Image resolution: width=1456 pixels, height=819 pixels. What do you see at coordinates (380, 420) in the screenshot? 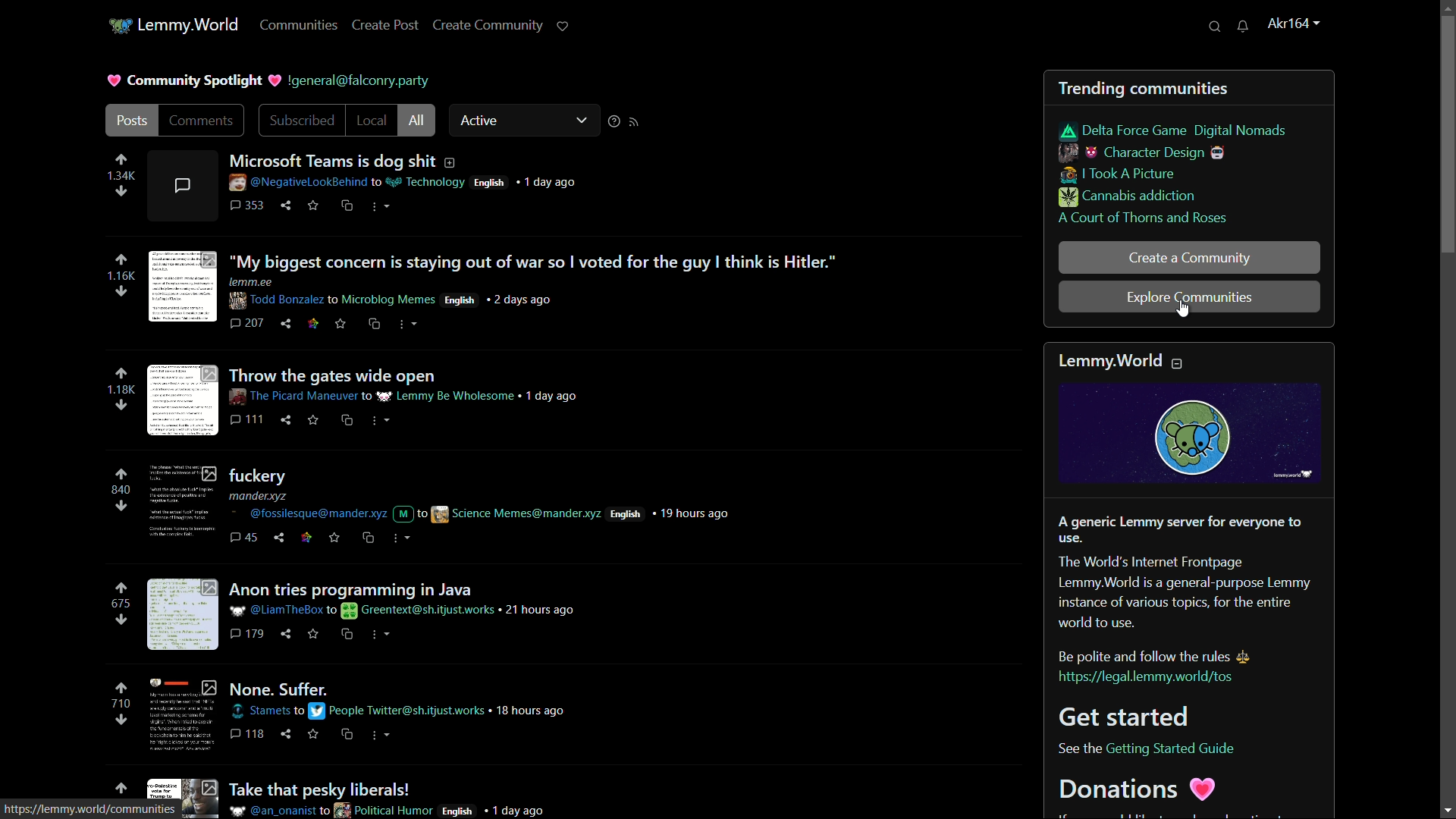
I see `more` at bounding box center [380, 420].